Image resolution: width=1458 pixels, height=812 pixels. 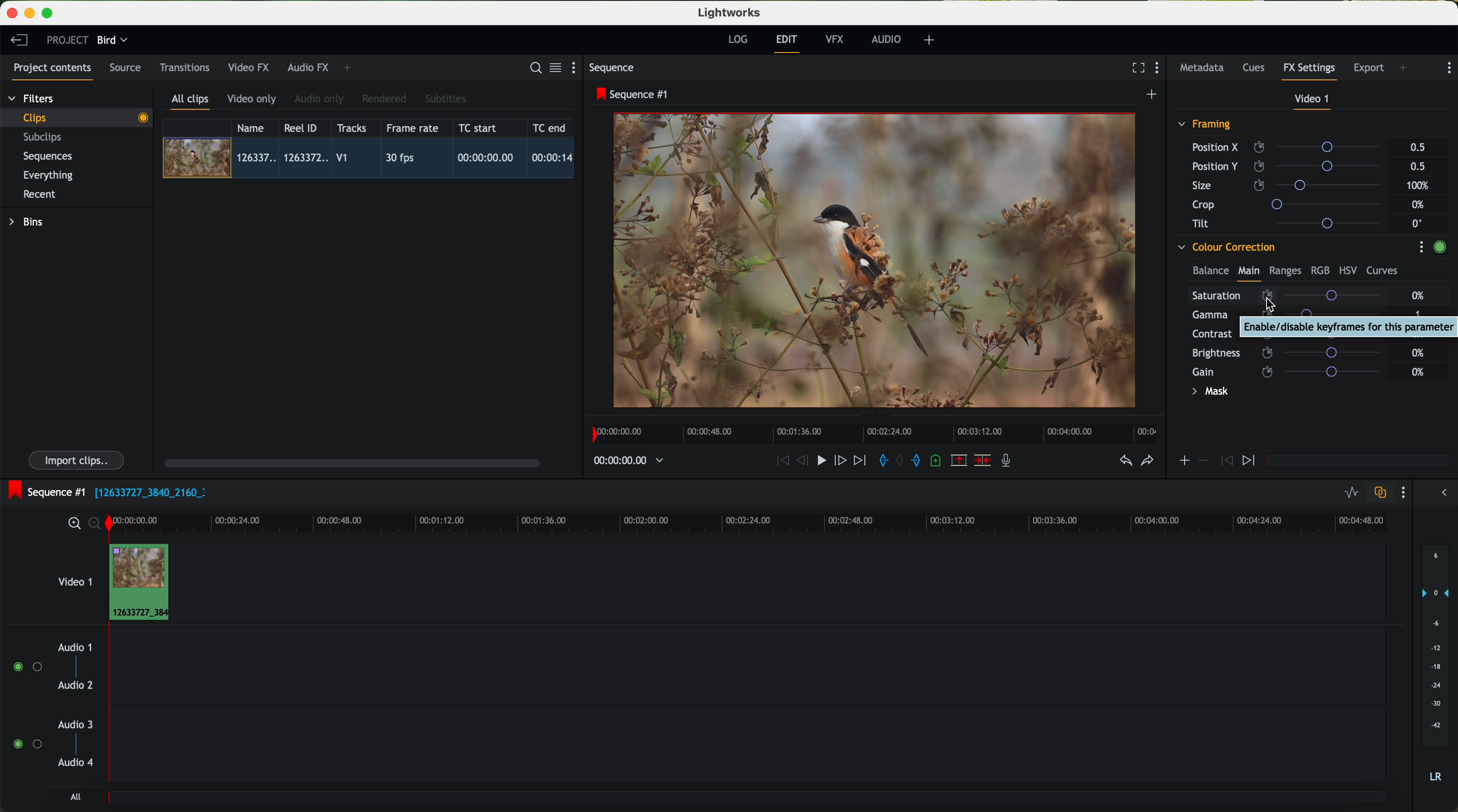 I want to click on close program, so click(x=12, y=13).